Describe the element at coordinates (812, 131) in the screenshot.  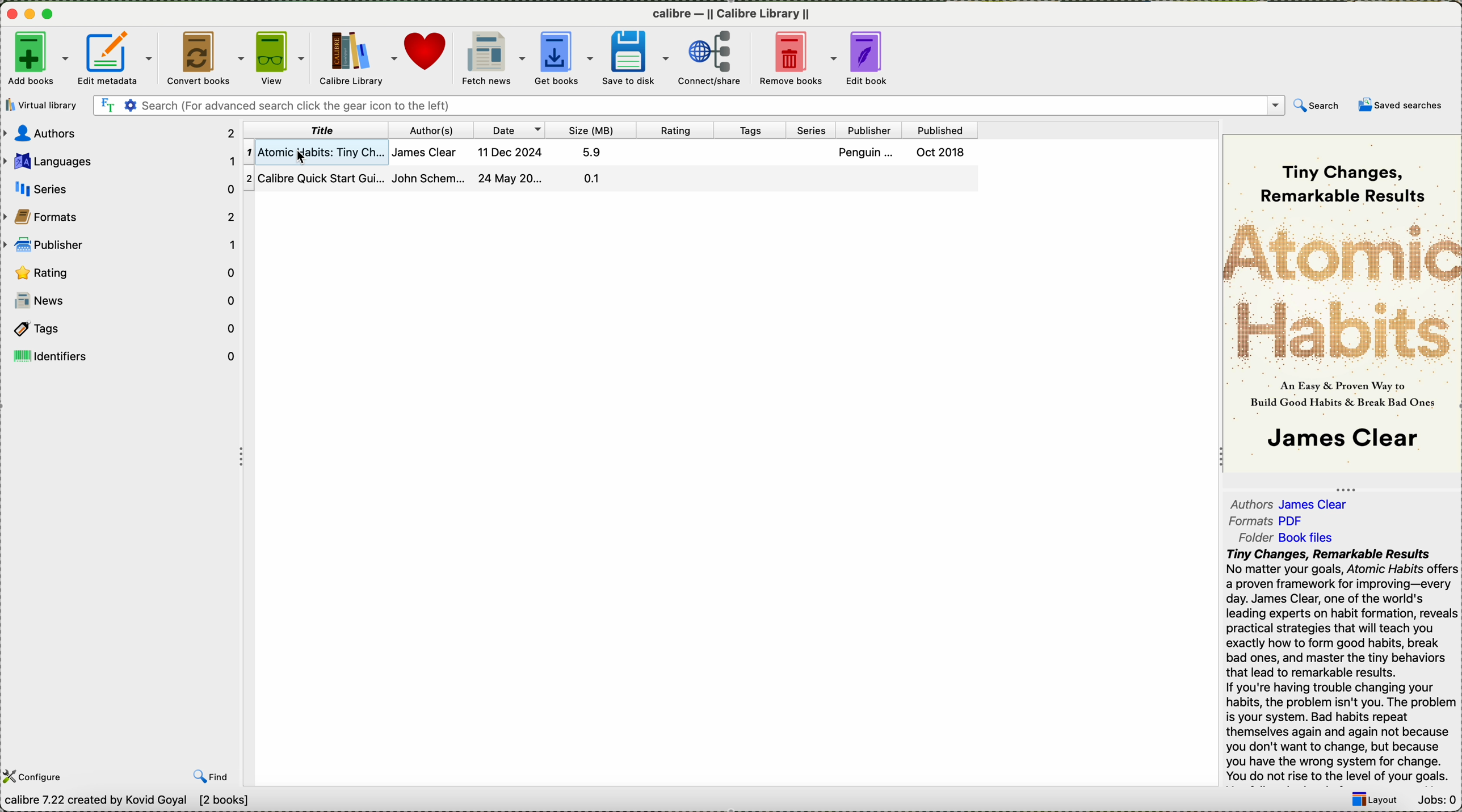
I see `series` at that location.